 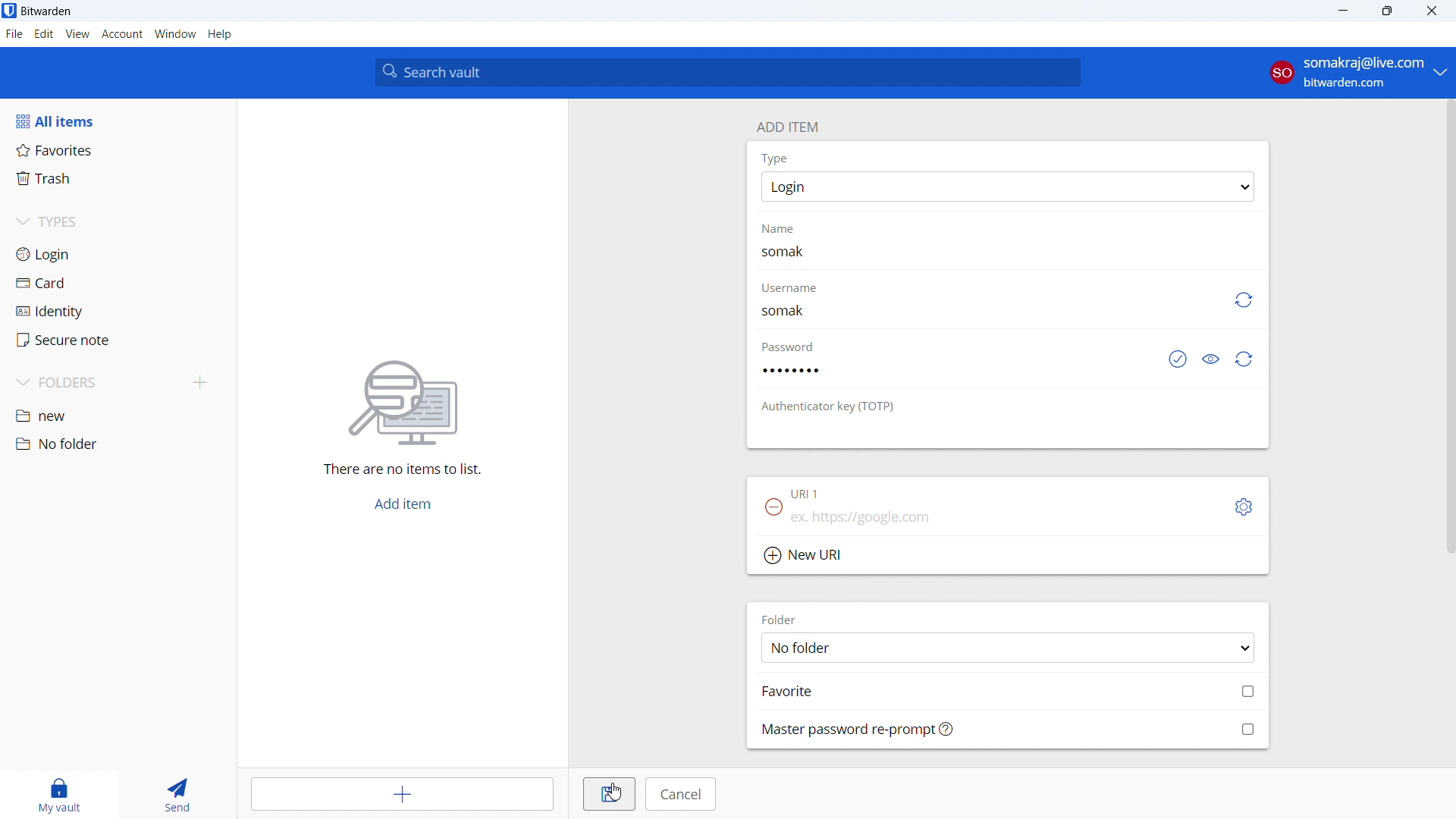 What do you see at coordinates (1008, 187) in the screenshot?
I see `select item type` at bounding box center [1008, 187].